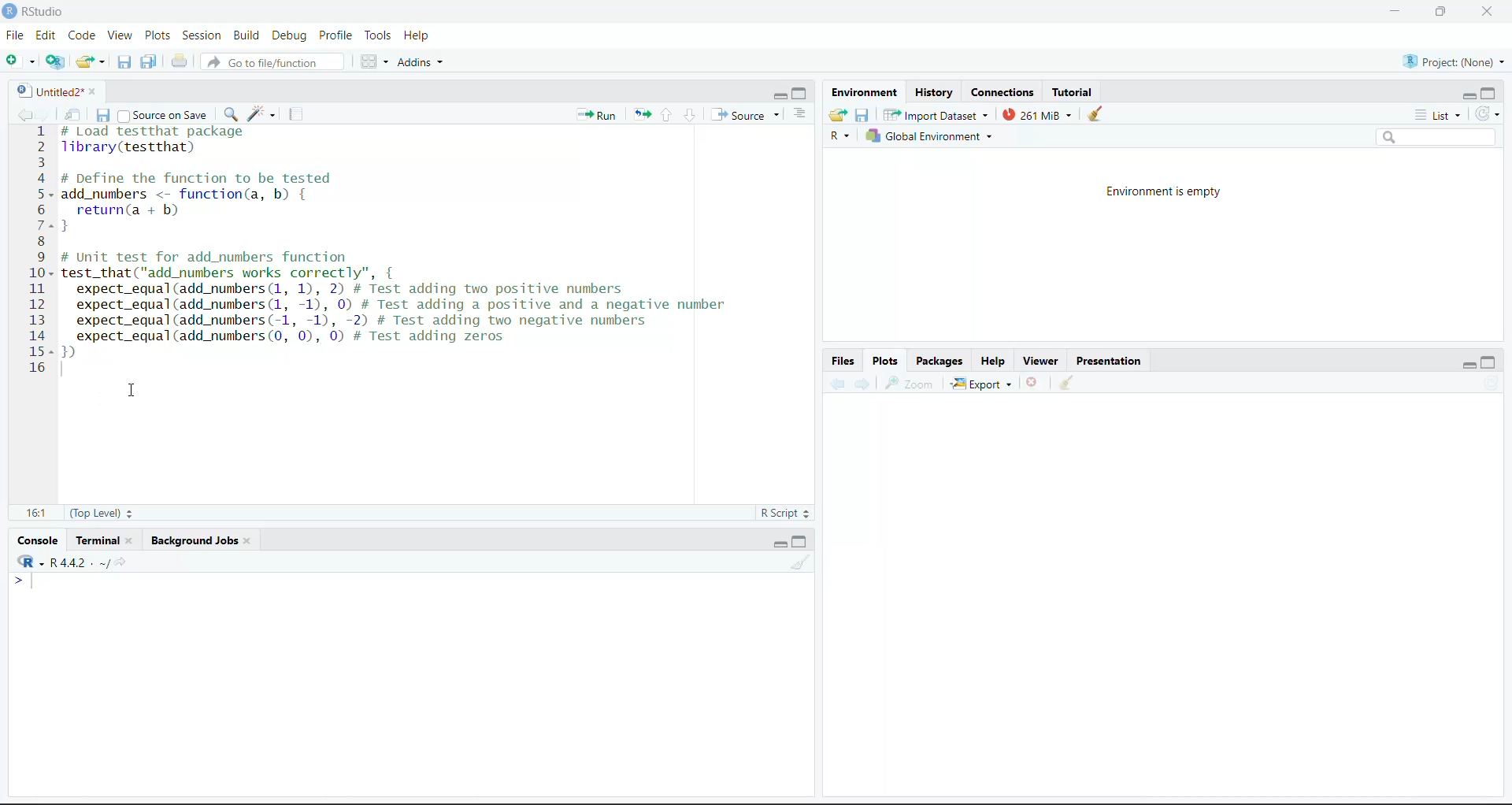 The width and height of the screenshot is (1512, 805). What do you see at coordinates (39, 252) in the screenshot?
I see `Numbering line` at bounding box center [39, 252].